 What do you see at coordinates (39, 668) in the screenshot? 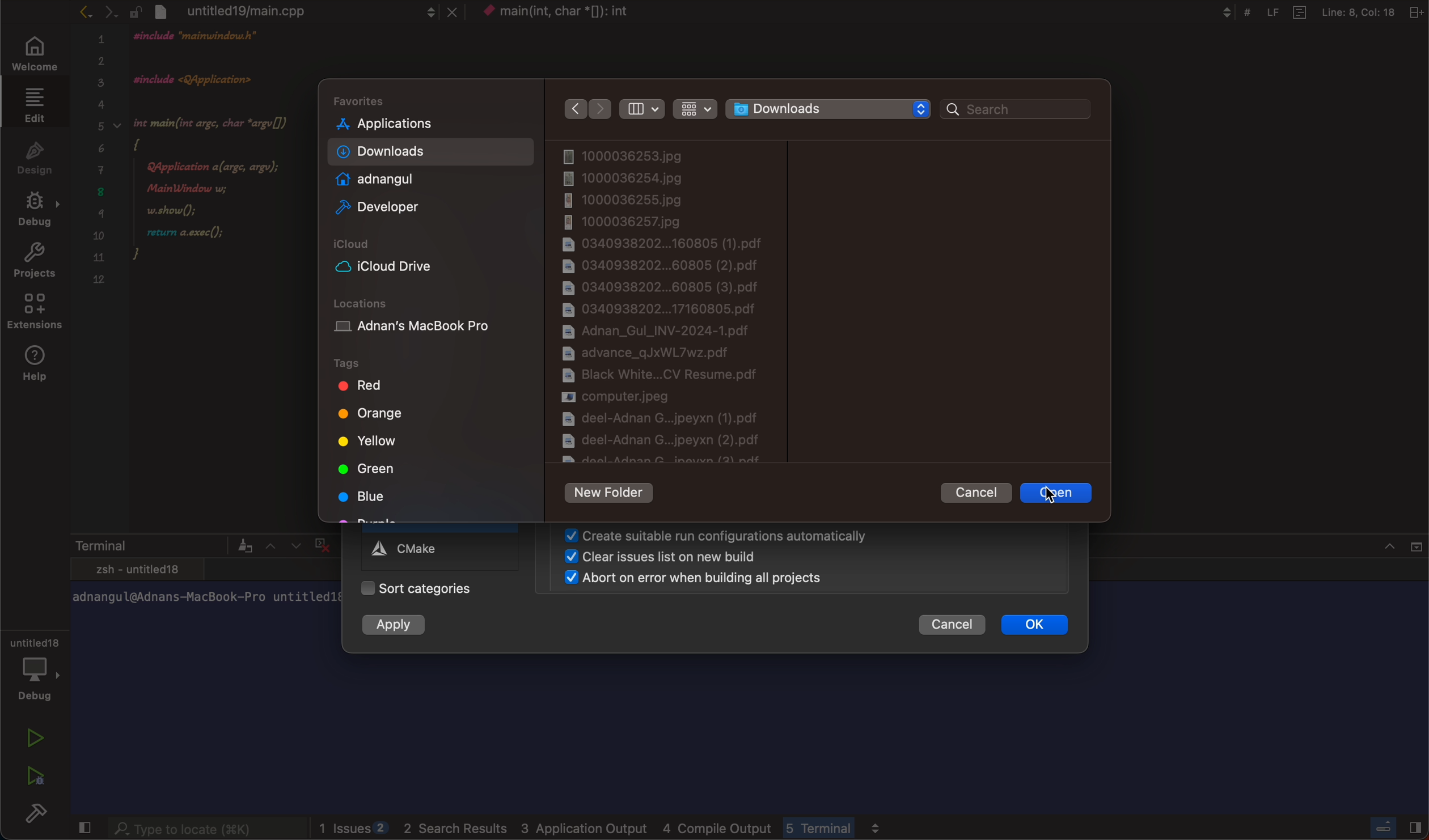
I see `debug` at bounding box center [39, 668].